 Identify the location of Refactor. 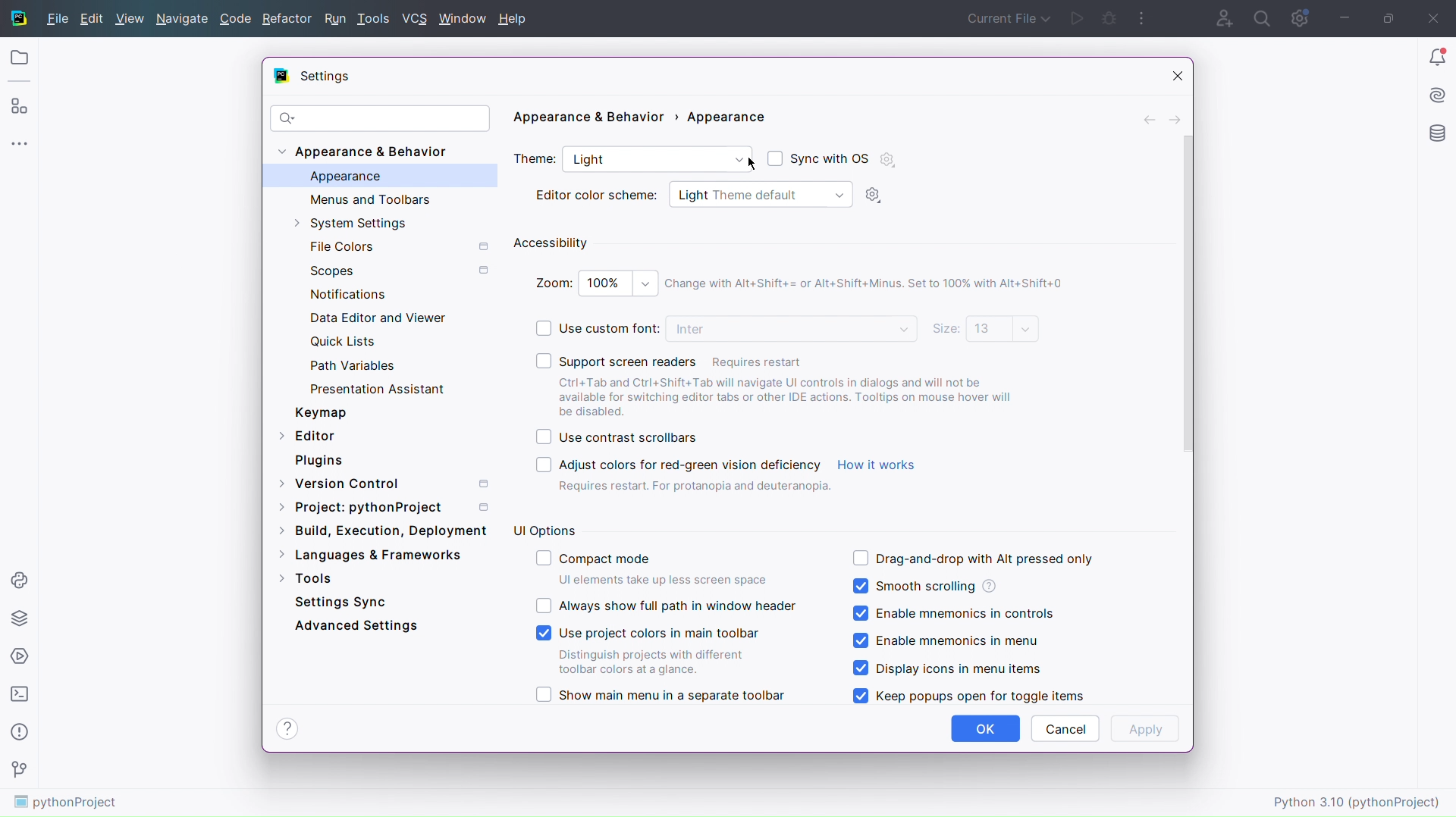
(287, 18).